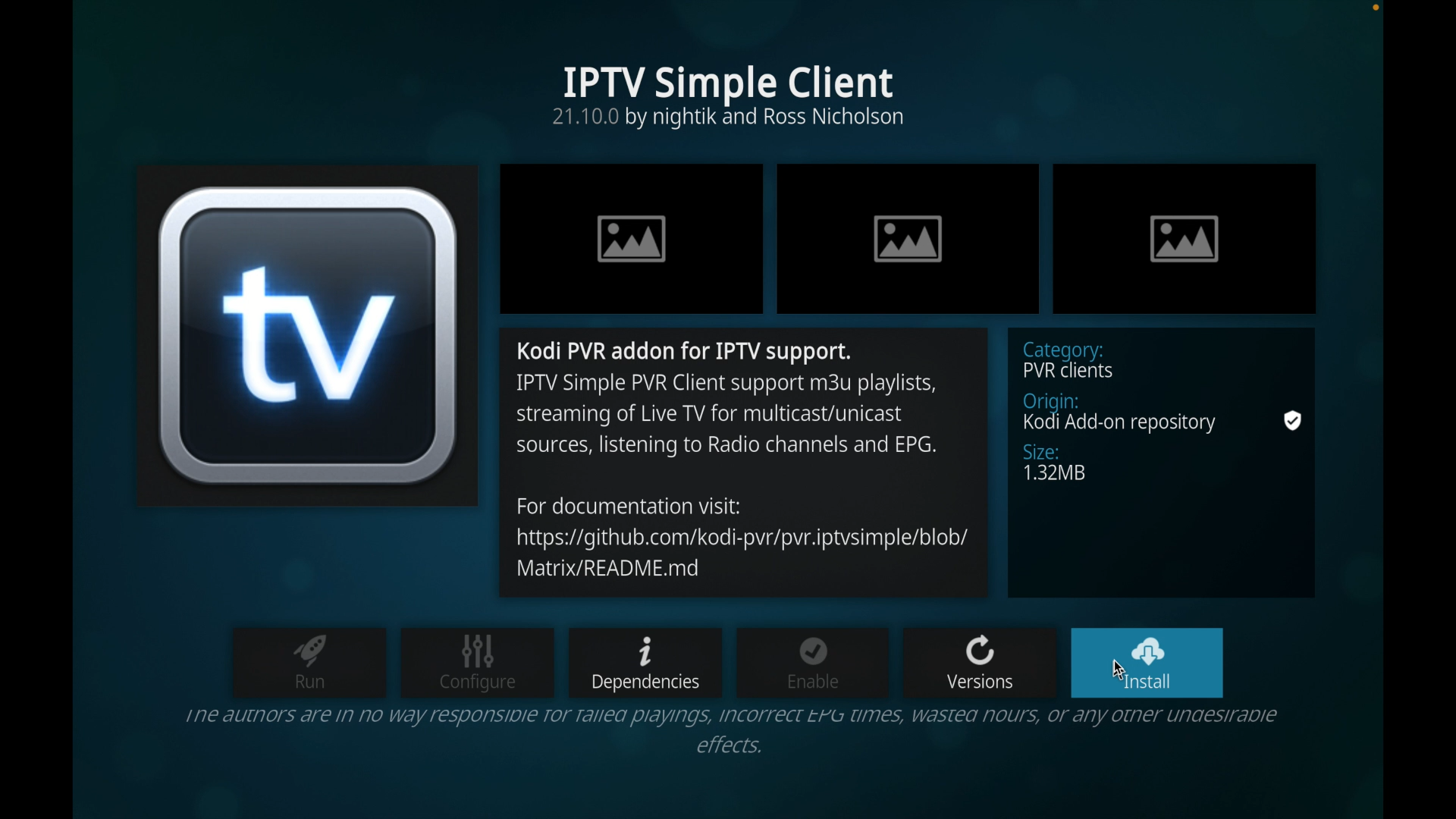 This screenshot has width=1456, height=819. Describe the element at coordinates (813, 661) in the screenshot. I see `enable` at that location.